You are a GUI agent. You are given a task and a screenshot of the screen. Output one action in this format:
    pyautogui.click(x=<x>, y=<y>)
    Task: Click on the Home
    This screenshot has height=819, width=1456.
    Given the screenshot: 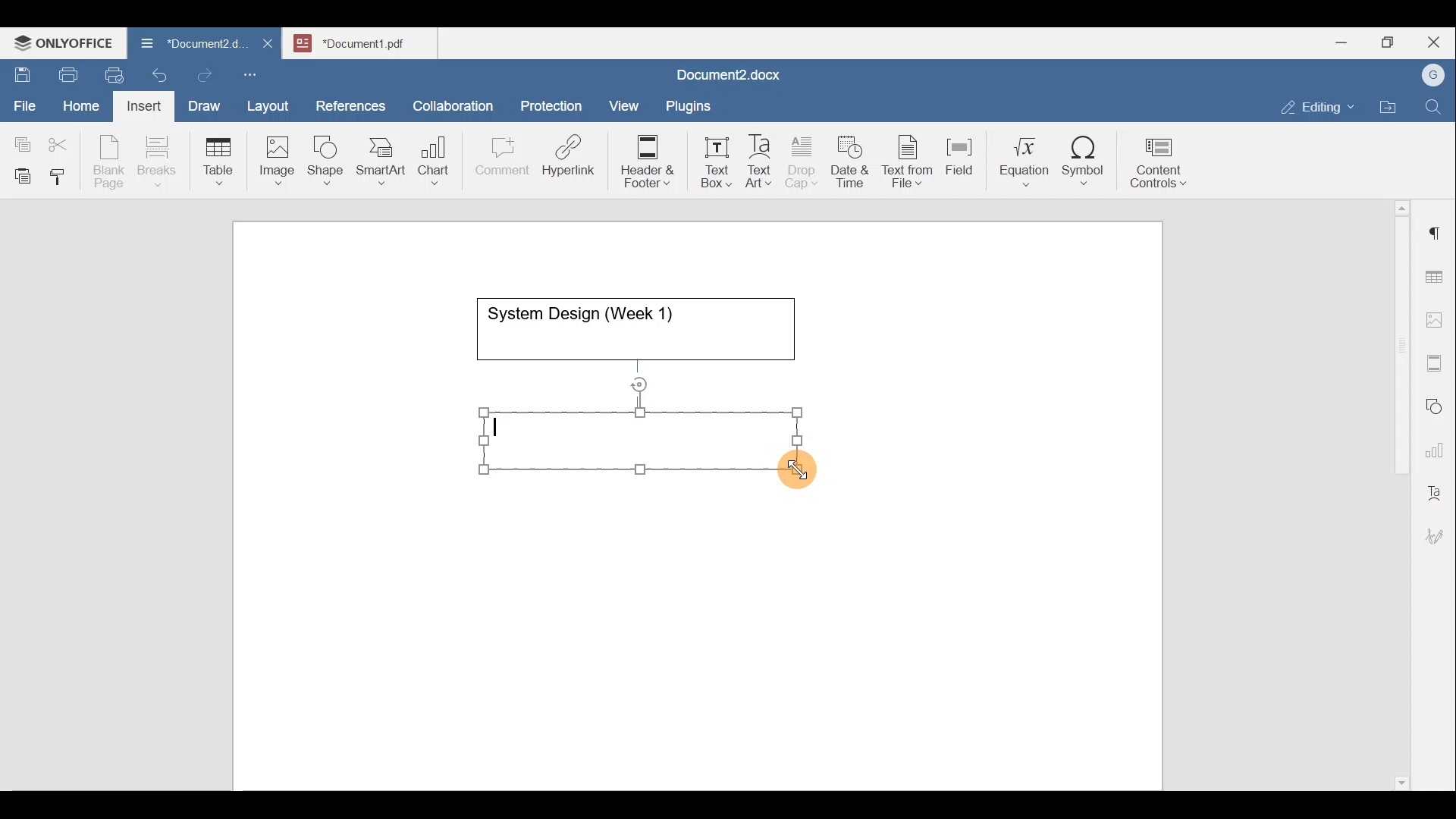 What is the action you would take?
    pyautogui.click(x=82, y=105)
    